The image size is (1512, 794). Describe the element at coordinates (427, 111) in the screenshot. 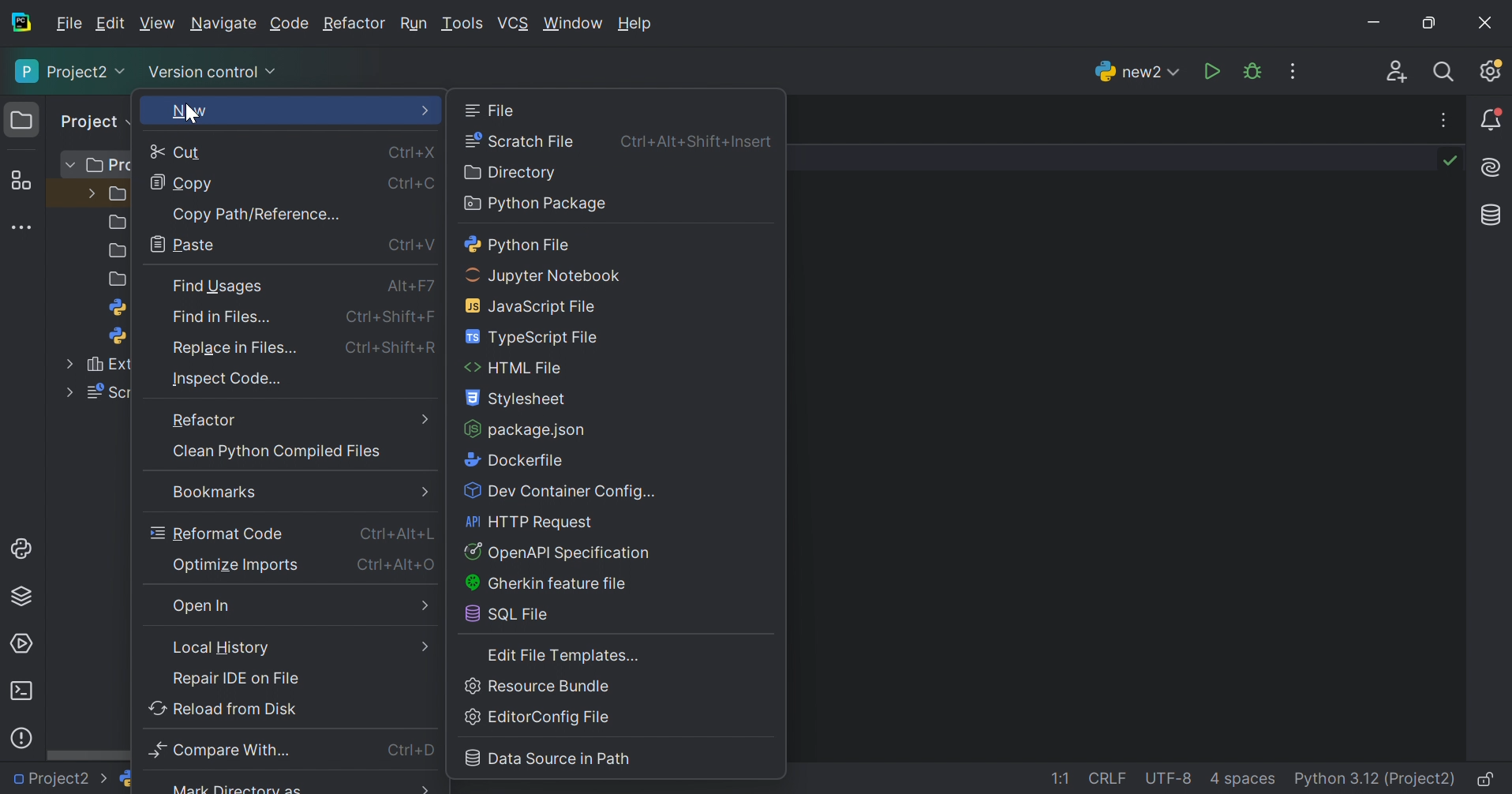

I see `More` at that location.